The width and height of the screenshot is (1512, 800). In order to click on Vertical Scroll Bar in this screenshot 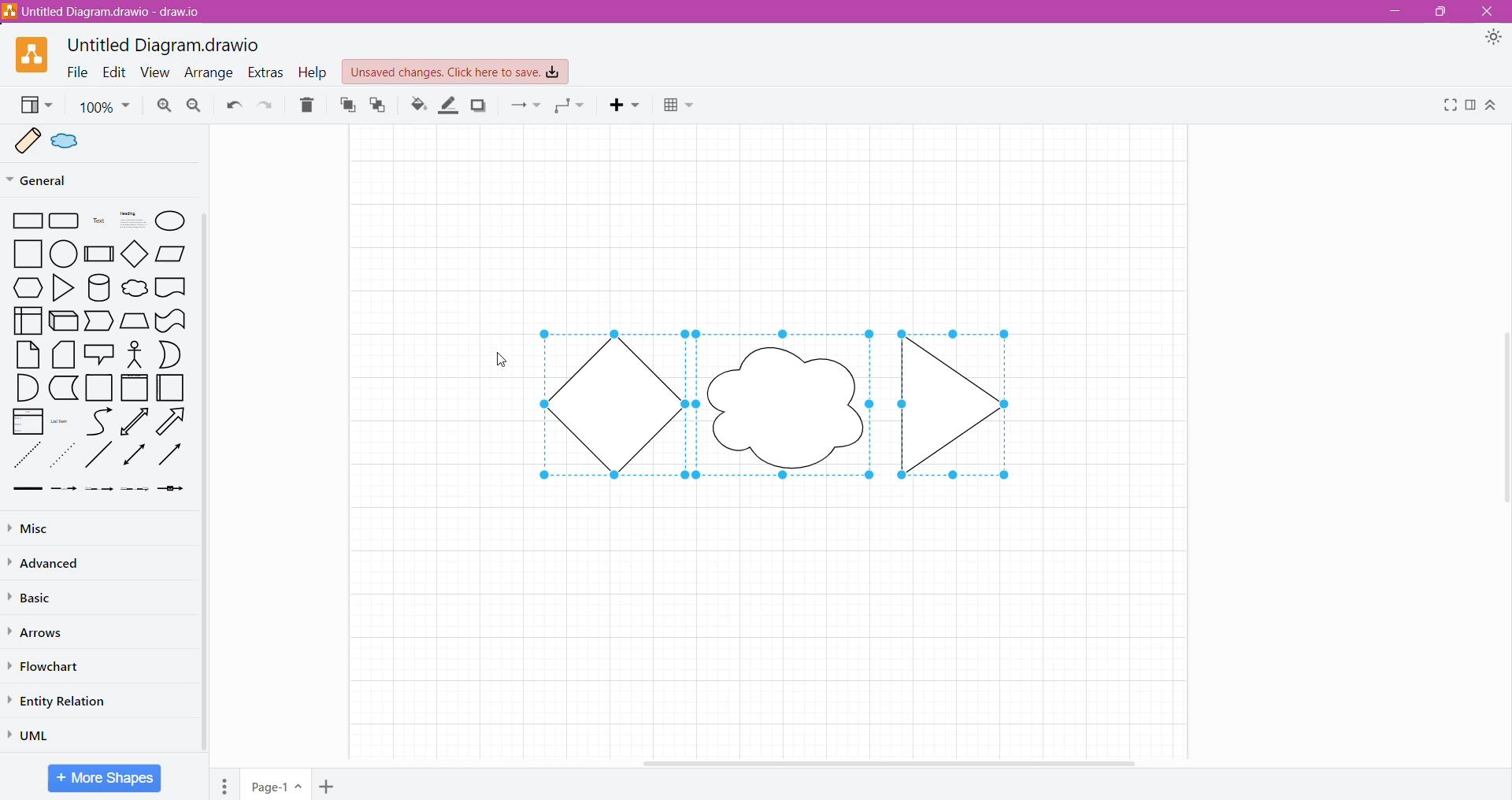, I will do `click(1503, 415)`.